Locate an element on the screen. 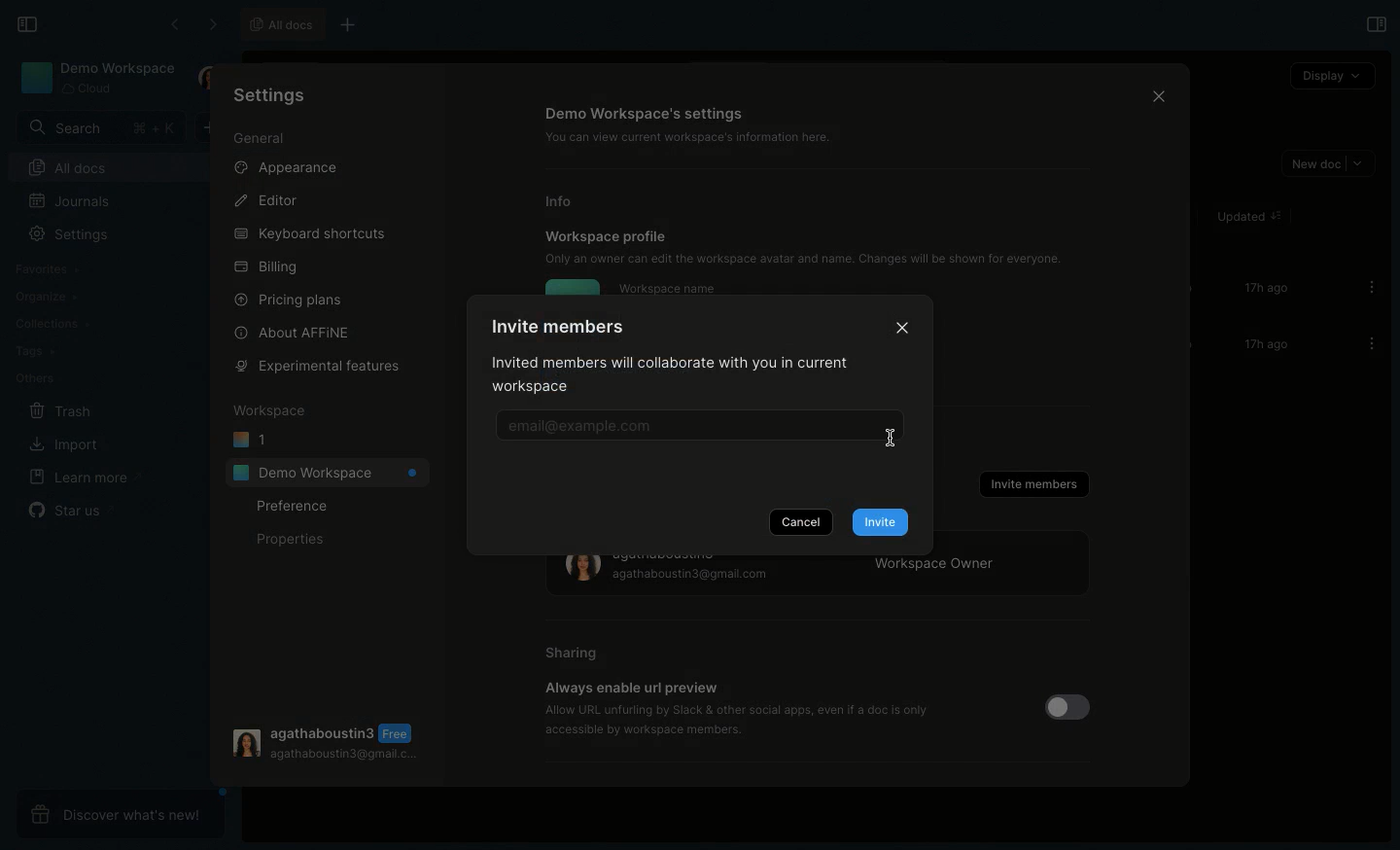 This screenshot has height=850, width=1400. Open right panel is located at coordinates (1375, 24).